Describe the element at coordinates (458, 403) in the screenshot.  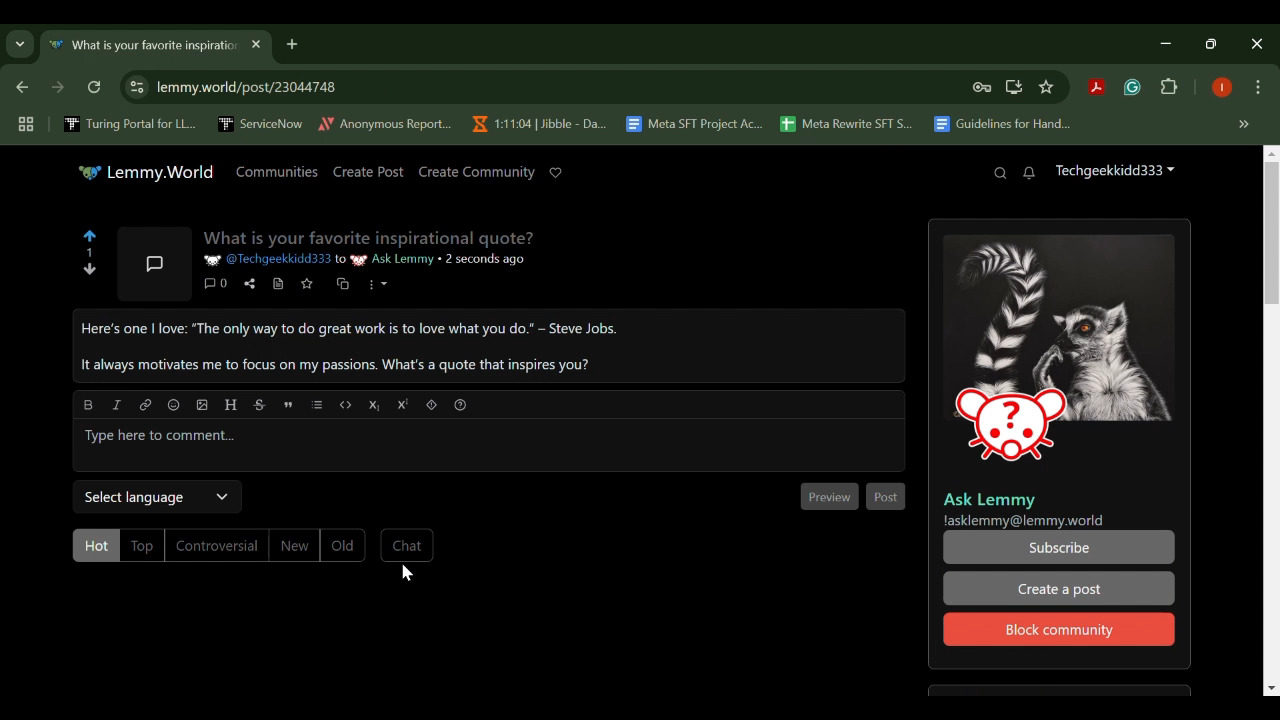
I see `formatting help` at that location.